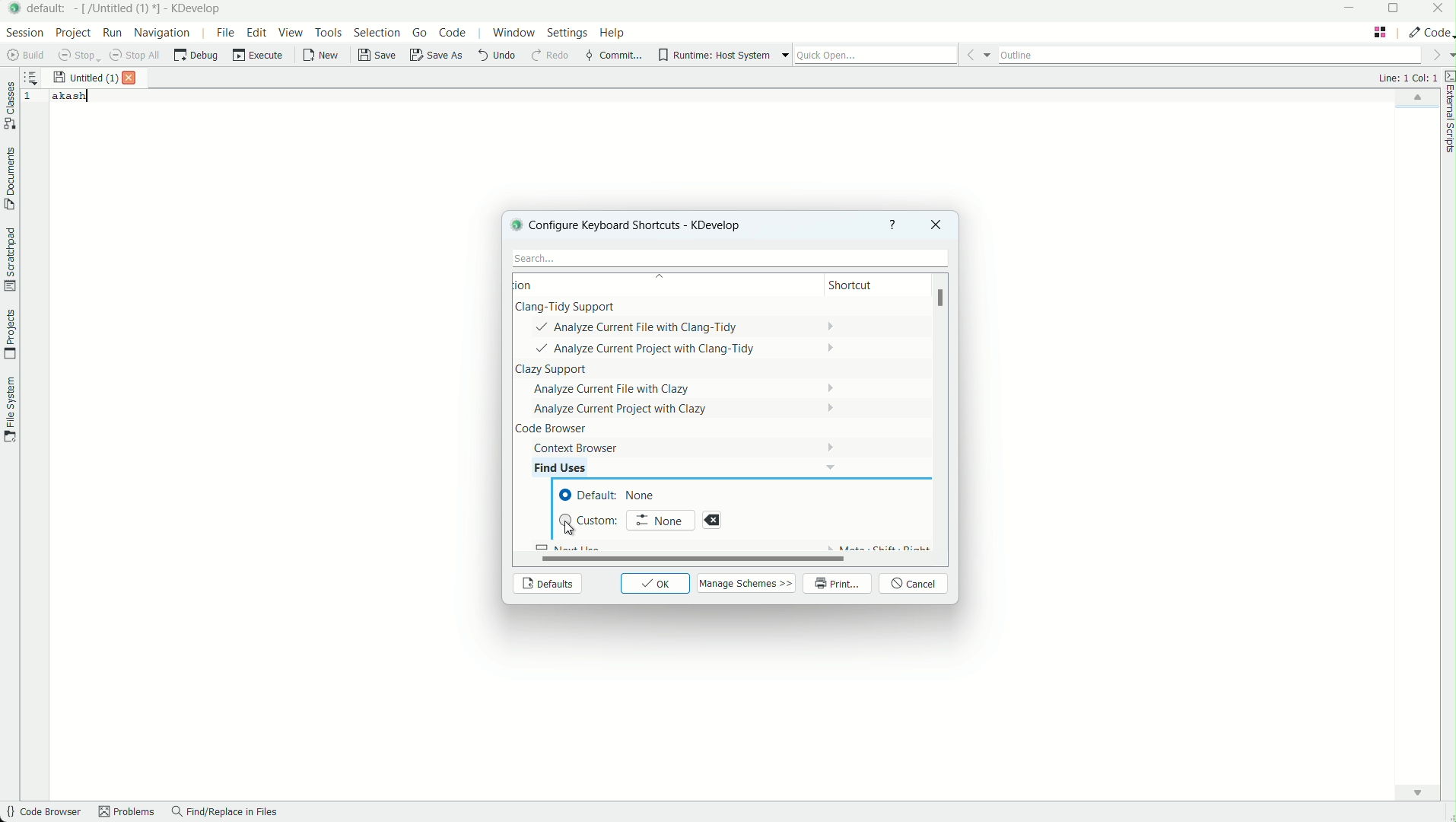 The image size is (1456, 822). What do you see at coordinates (1350, 9) in the screenshot?
I see `minimize` at bounding box center [1350, 9].